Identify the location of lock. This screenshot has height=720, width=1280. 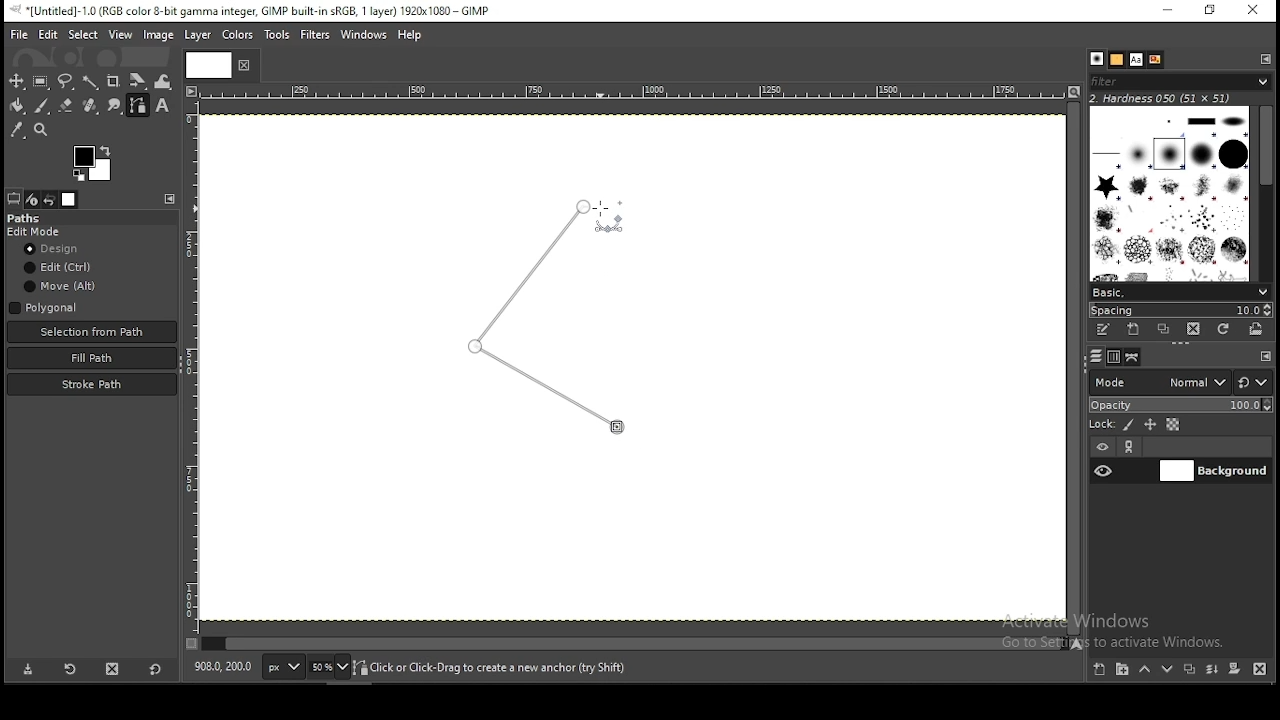
(1102, 423).